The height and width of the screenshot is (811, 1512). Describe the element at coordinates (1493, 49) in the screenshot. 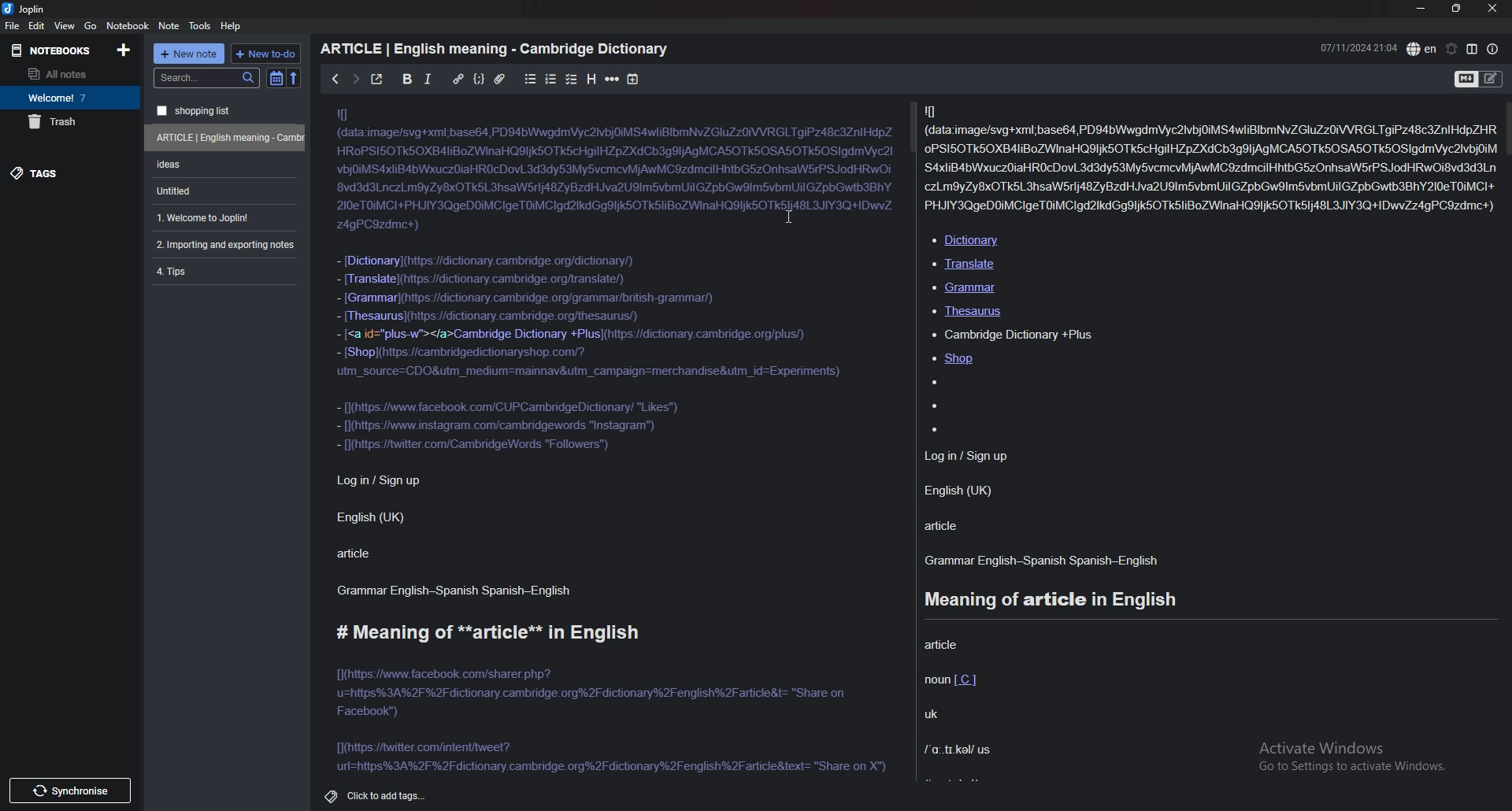

I see `note properties` at that location.